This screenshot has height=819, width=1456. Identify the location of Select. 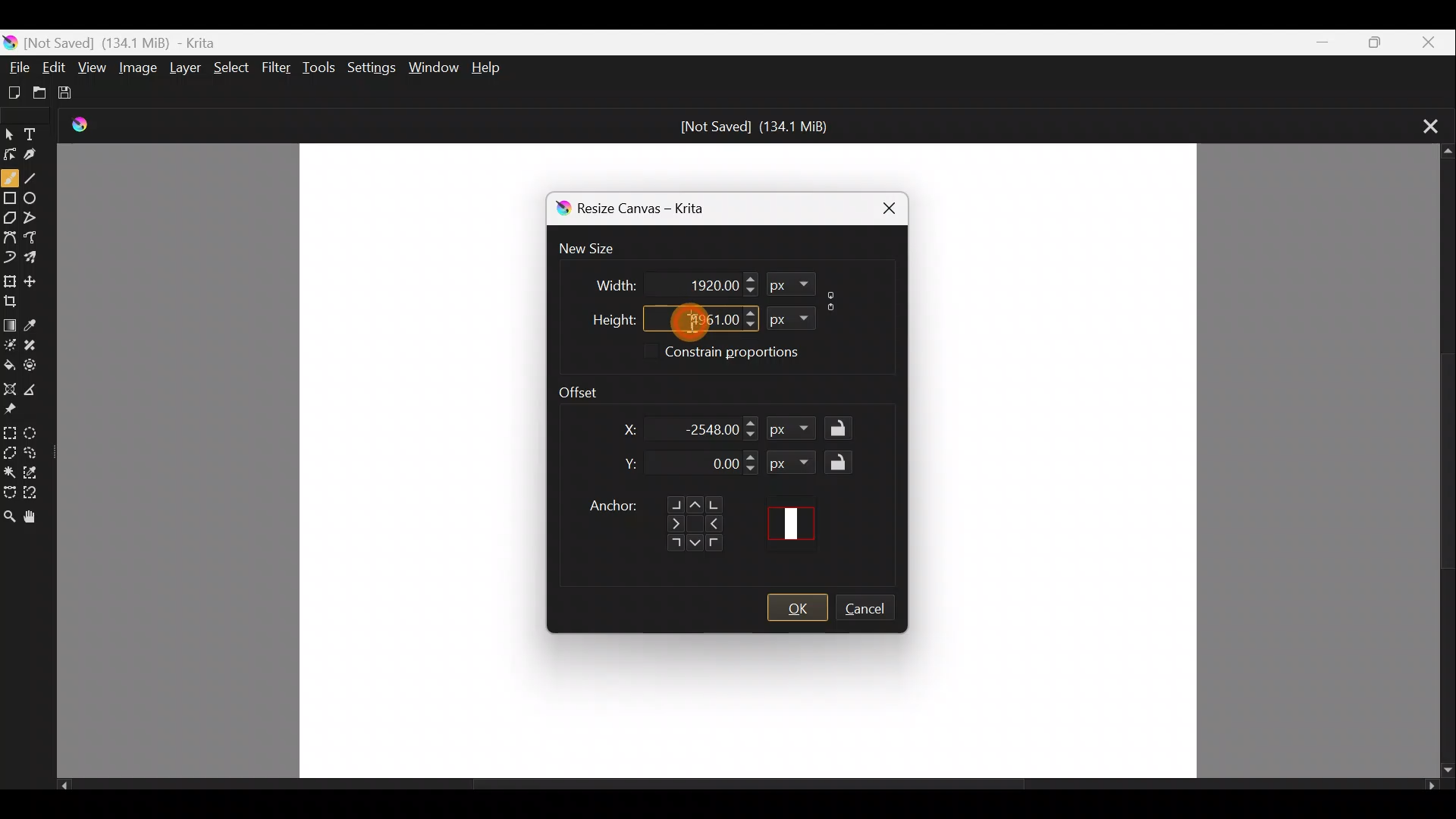
(232, 67).